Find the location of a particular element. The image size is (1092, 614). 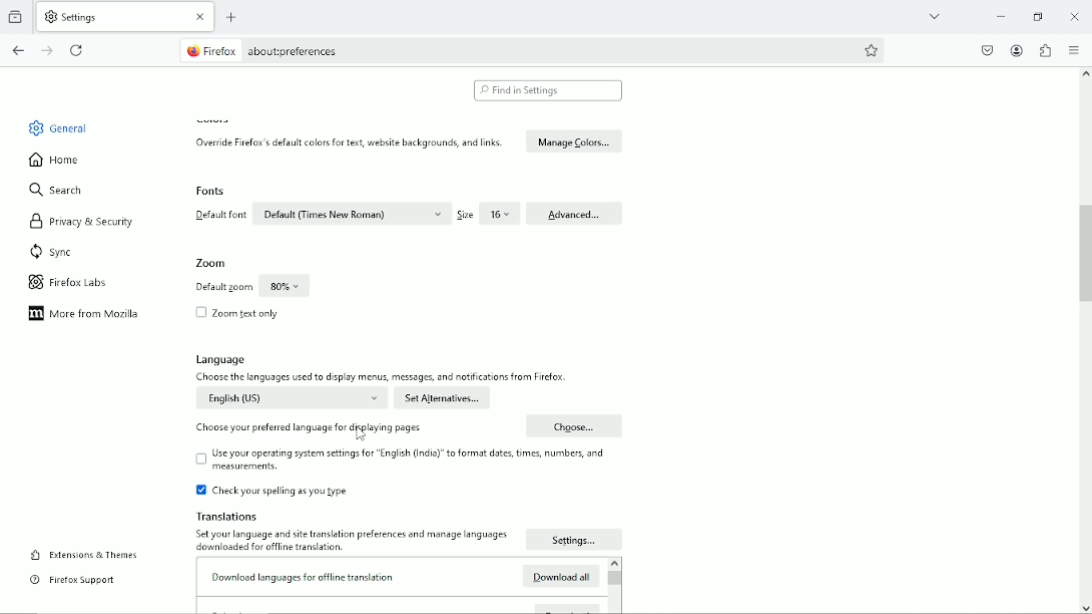

extensions is located at coordinates (1044, 50).